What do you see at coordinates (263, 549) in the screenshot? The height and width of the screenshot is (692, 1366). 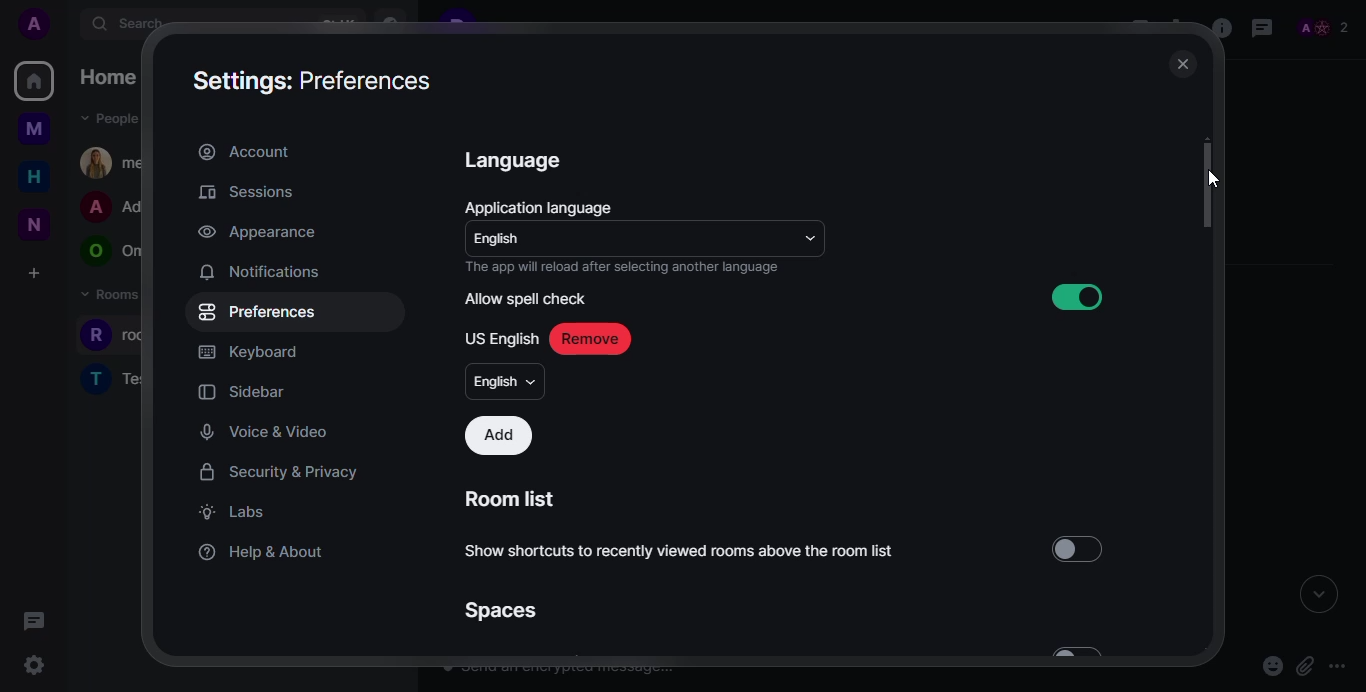 I see `help` at bounding box center [263, 549].